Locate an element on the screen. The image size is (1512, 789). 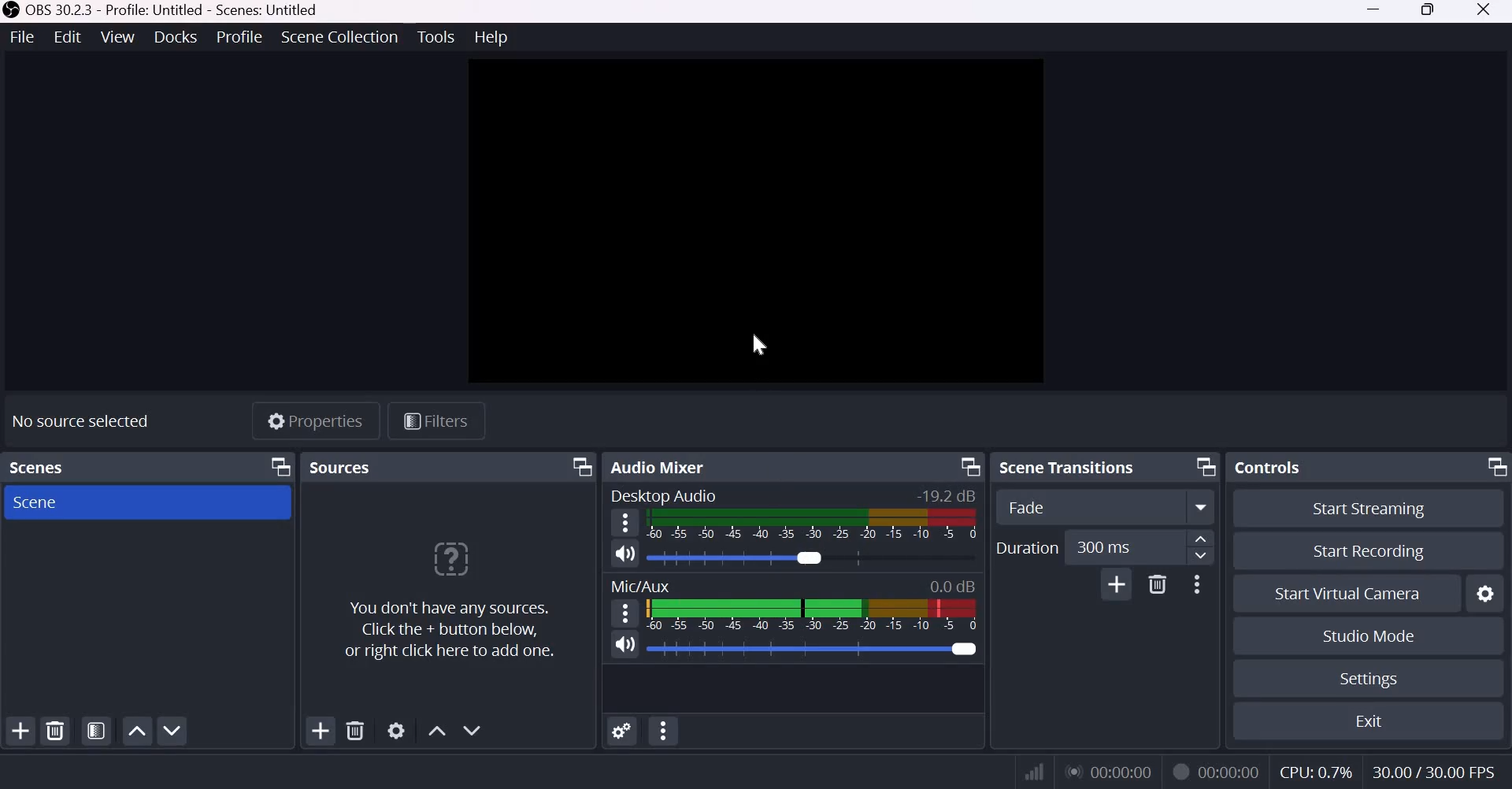
Move scene down is located at coordinates (173, 729).